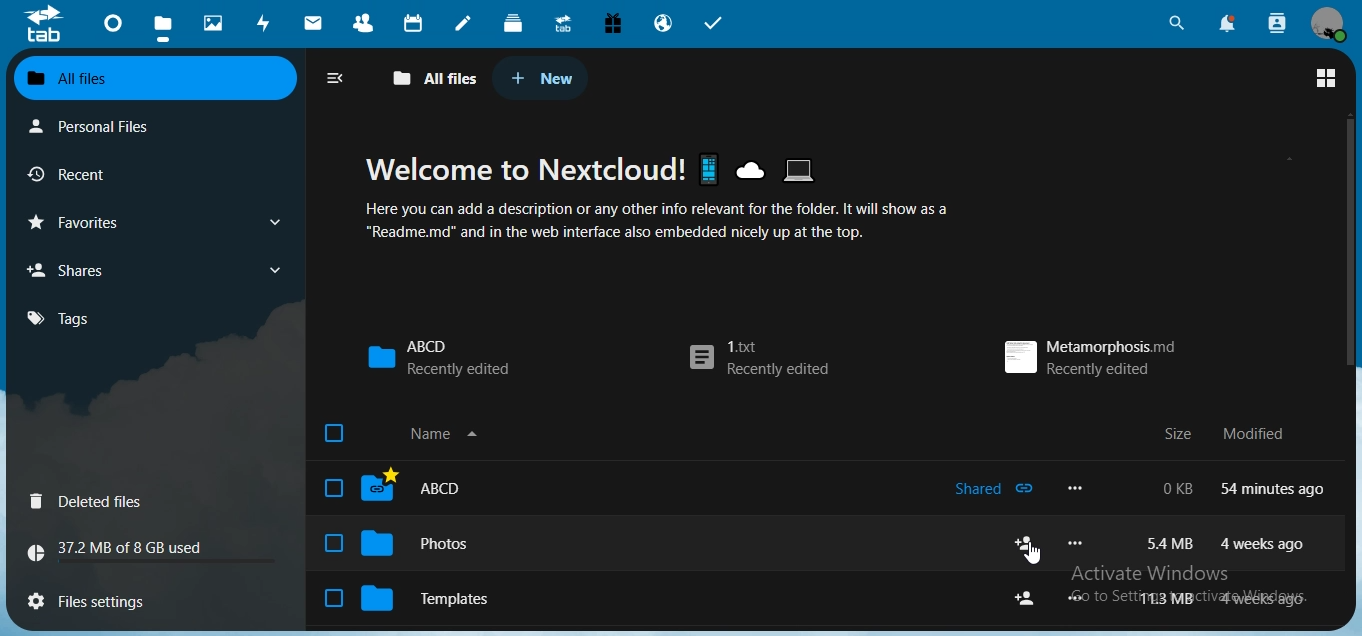  I want to click on contacts, so click(369, 25).